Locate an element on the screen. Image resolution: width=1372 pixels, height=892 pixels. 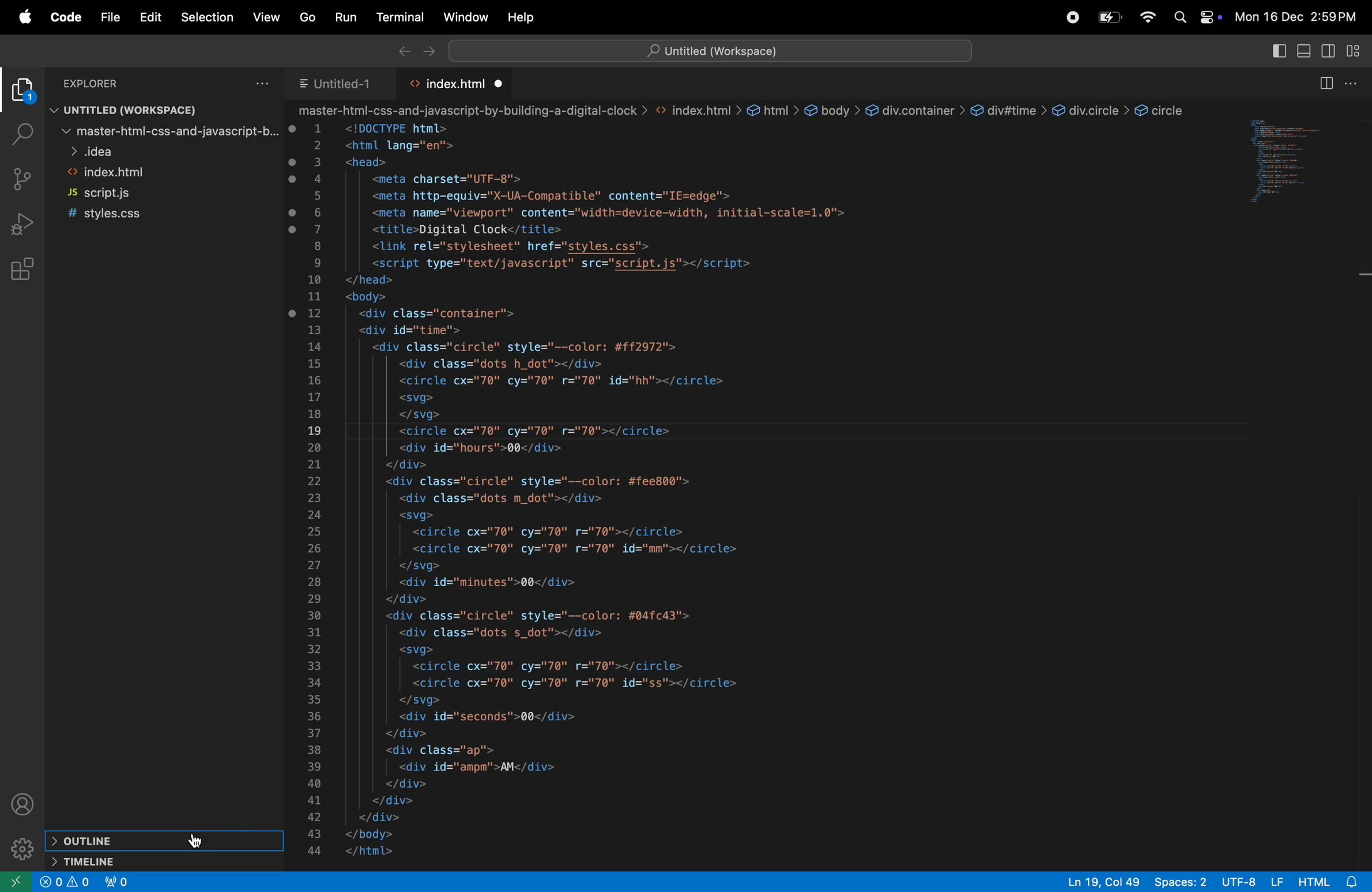
selection is located at coordinates (209, 17).